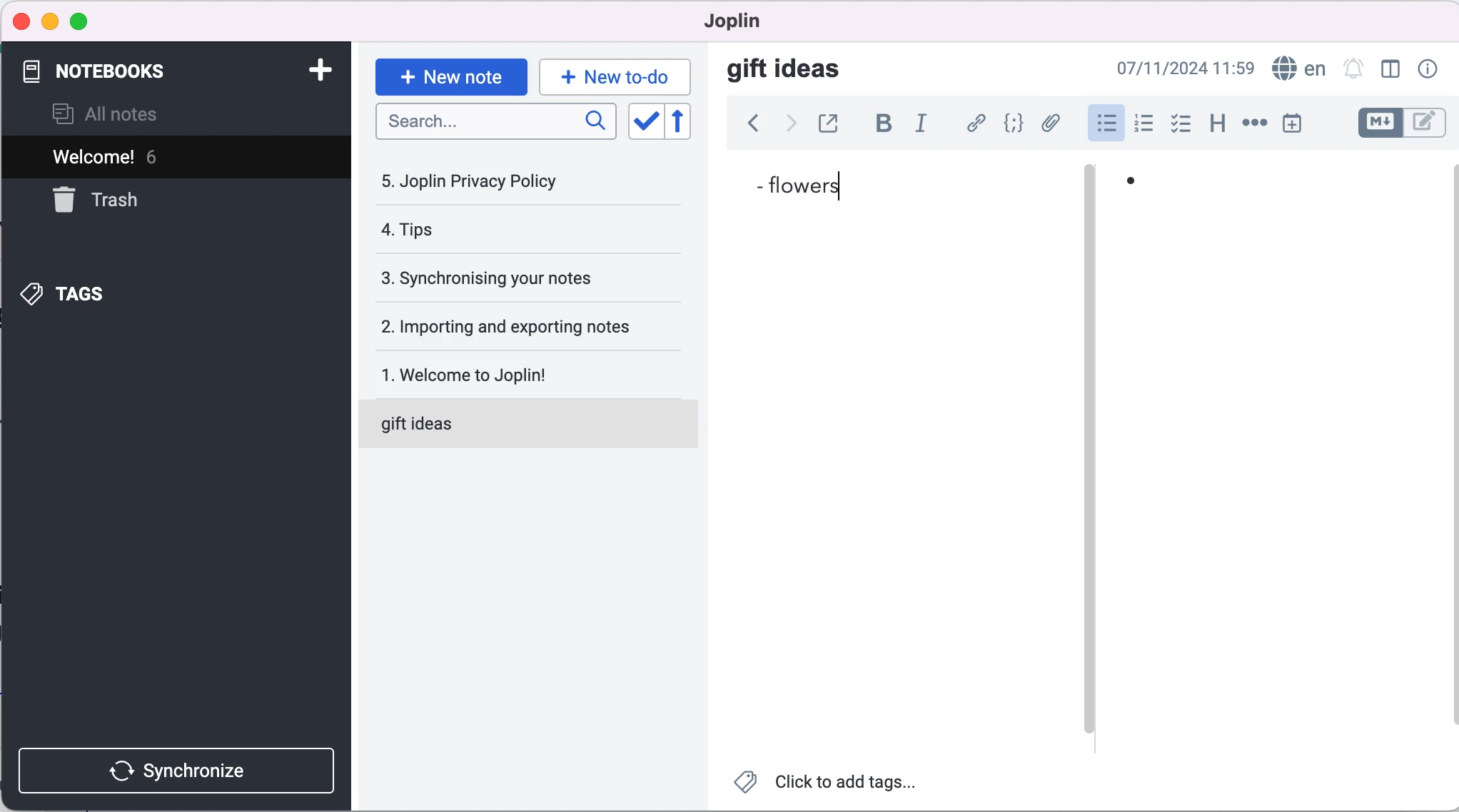  I want to click on set alarm, so click(1353, 70).